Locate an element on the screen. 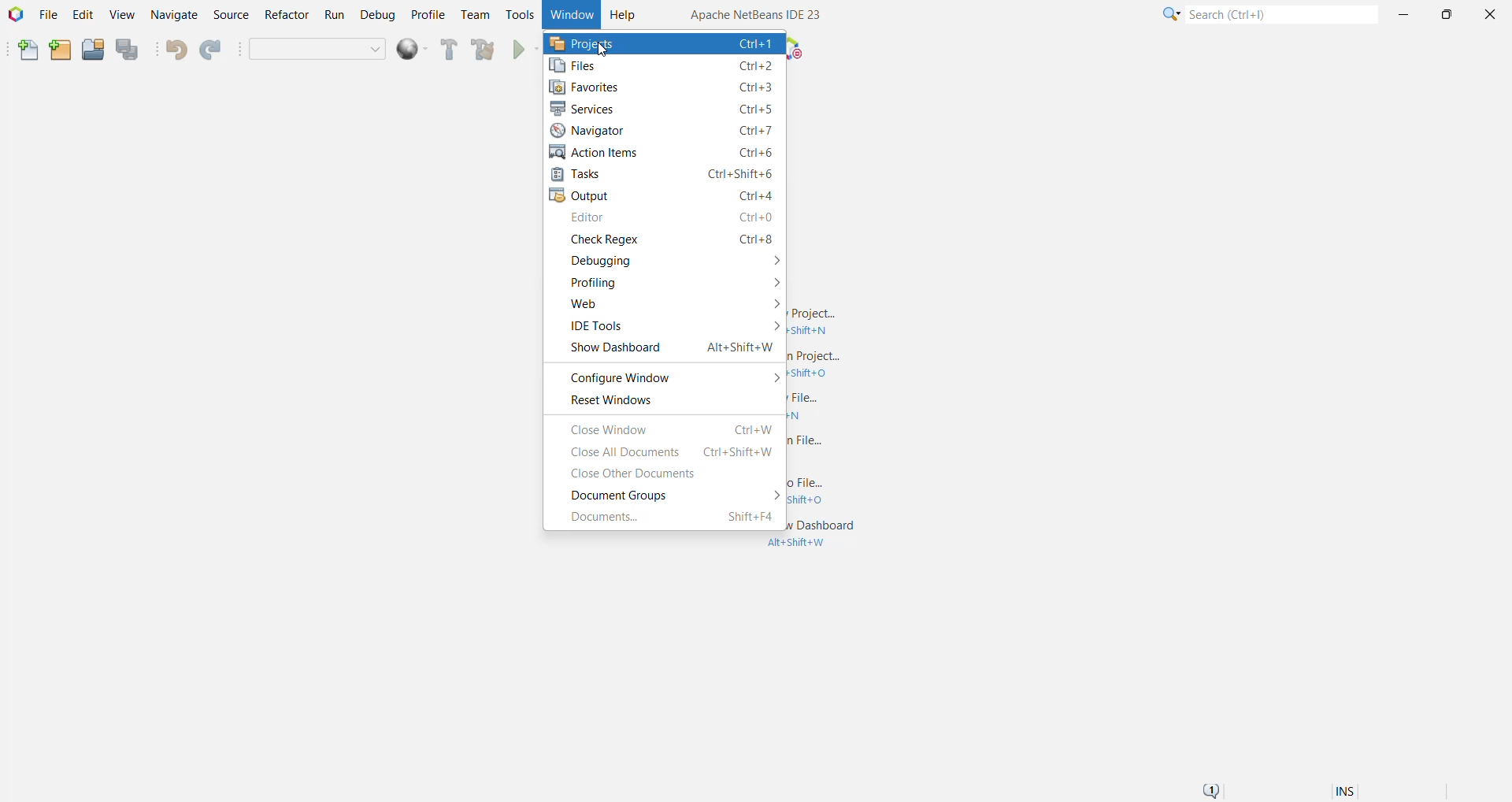 This screenshot has height=802, width=1512. Profiling is located at coordinates (670, 282).